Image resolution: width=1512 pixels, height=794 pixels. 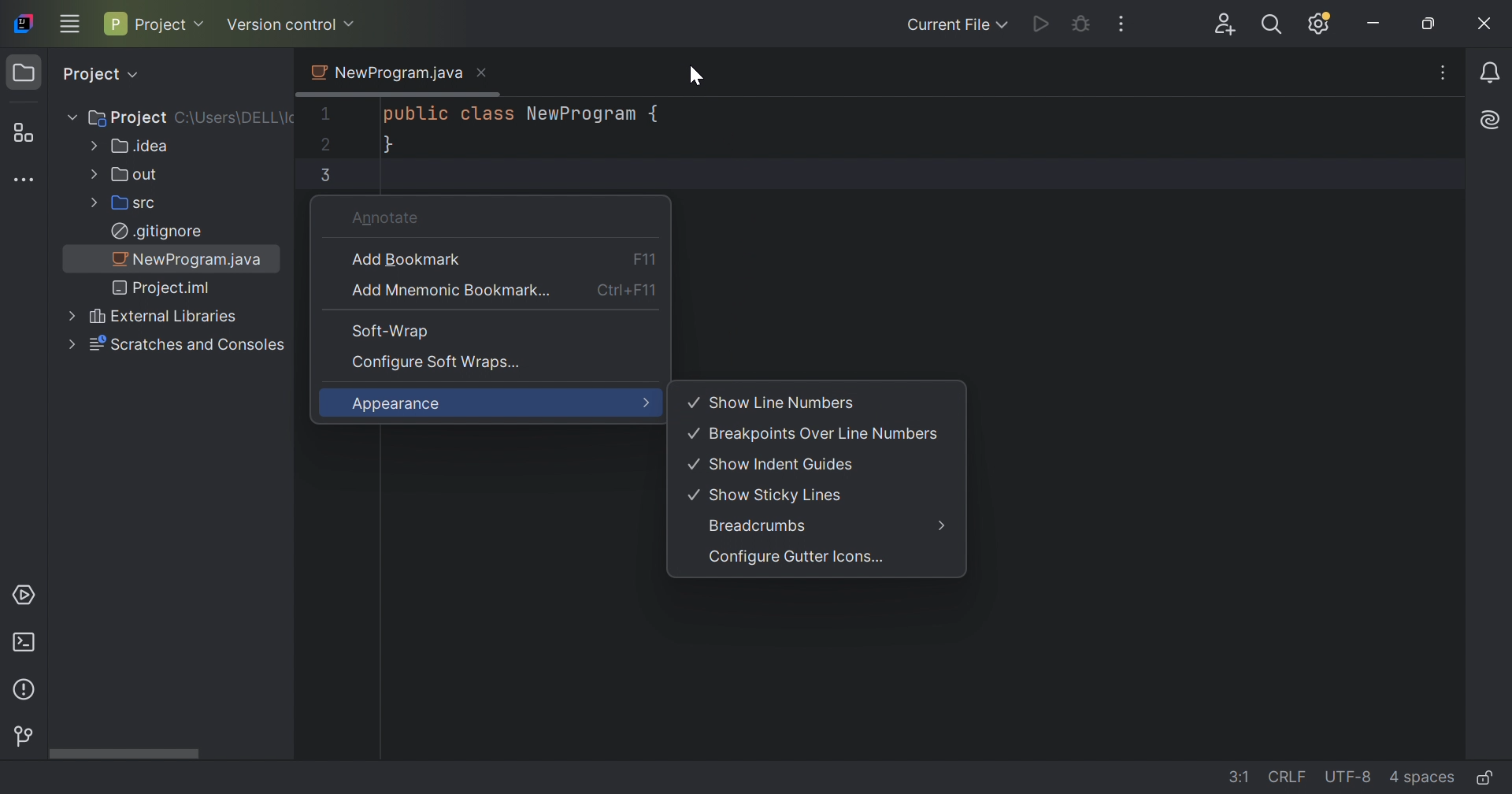 What do you see at coordinates (1482, 29) in the screenshot?
I see `Close` at bounding box center [1482, 29].